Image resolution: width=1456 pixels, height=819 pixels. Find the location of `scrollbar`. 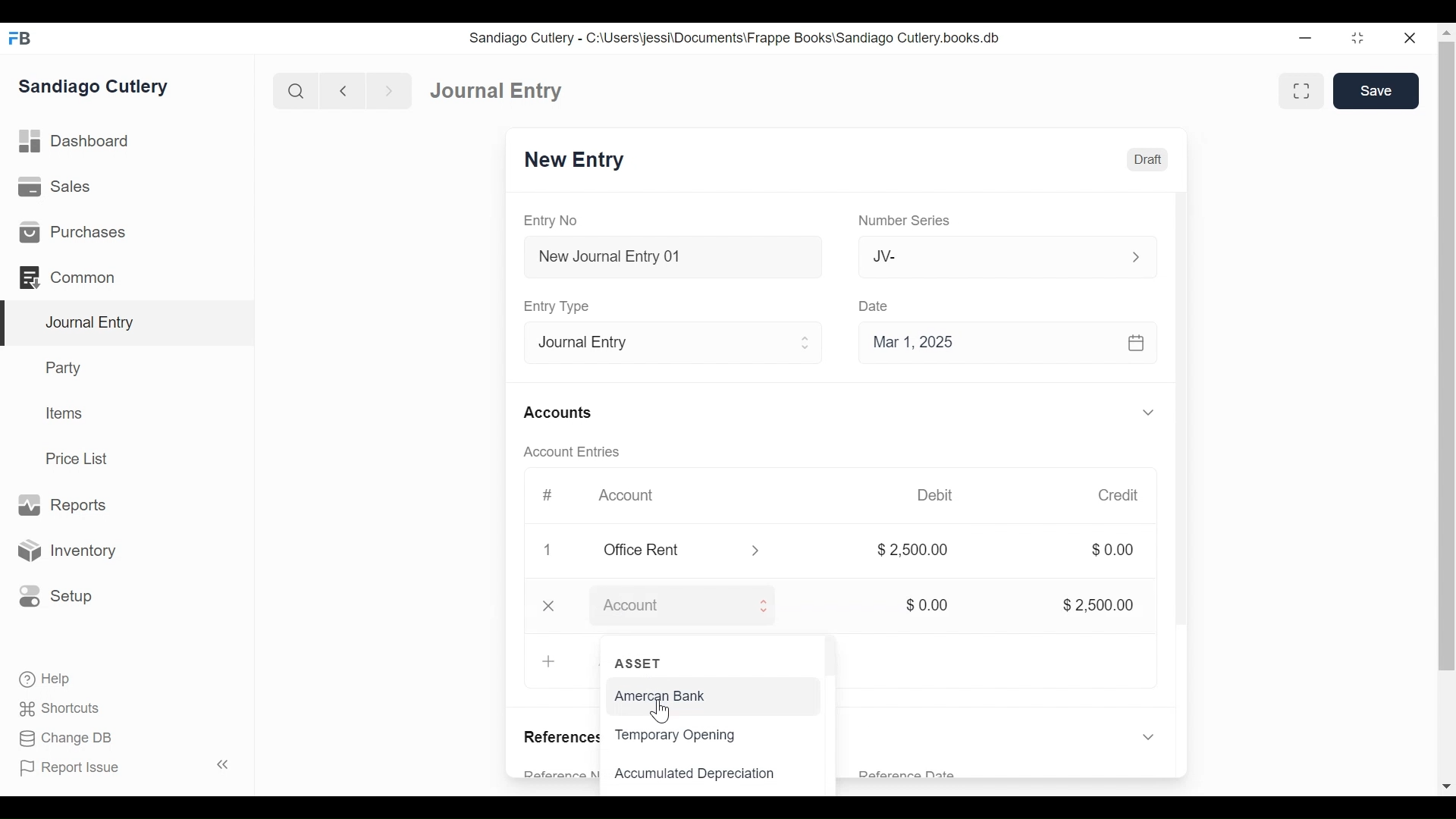

scrollbar is located at coordinates (1447, 369).